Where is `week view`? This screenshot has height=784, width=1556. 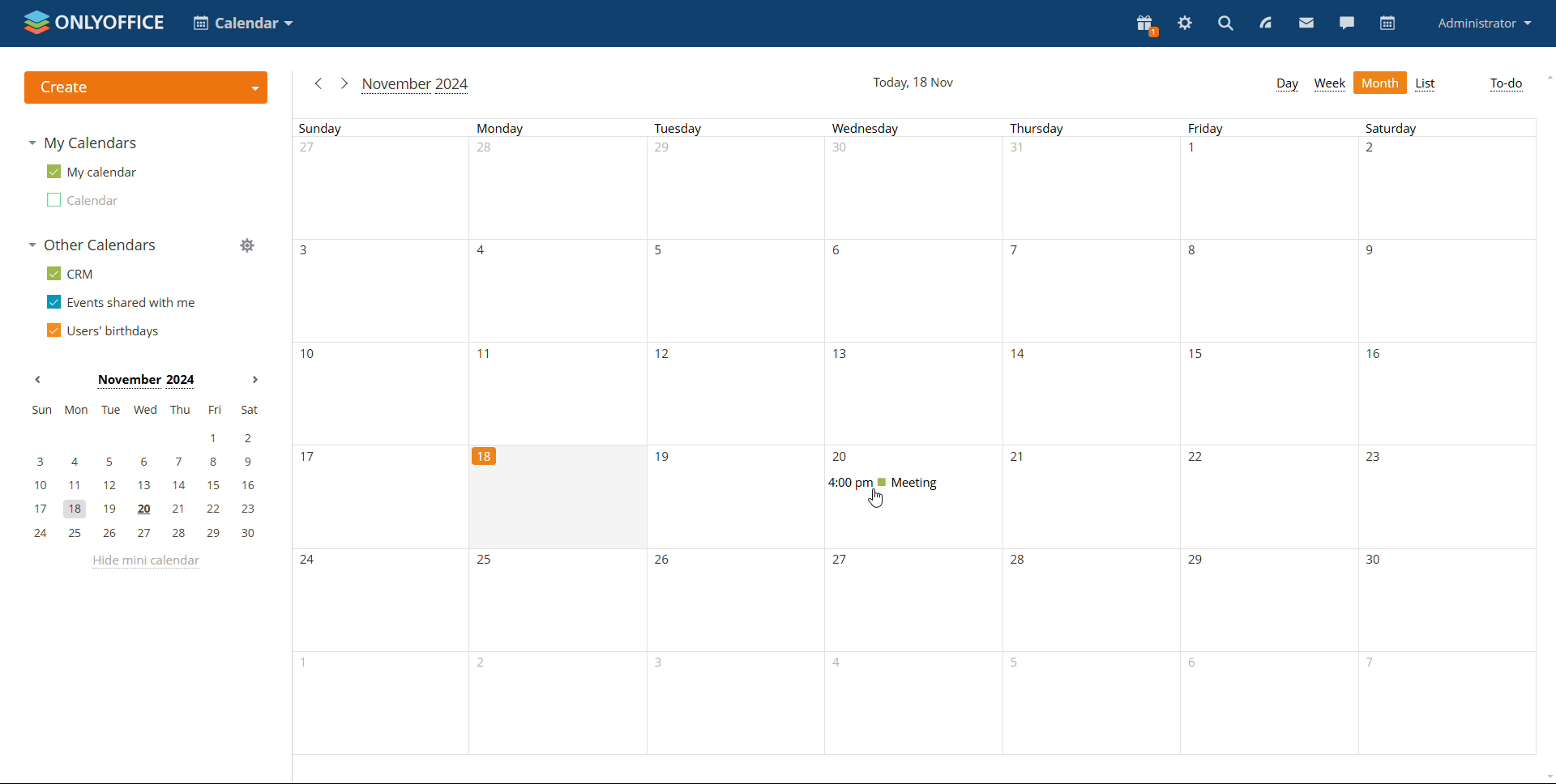 week view is located at coordinates (1329, 83).